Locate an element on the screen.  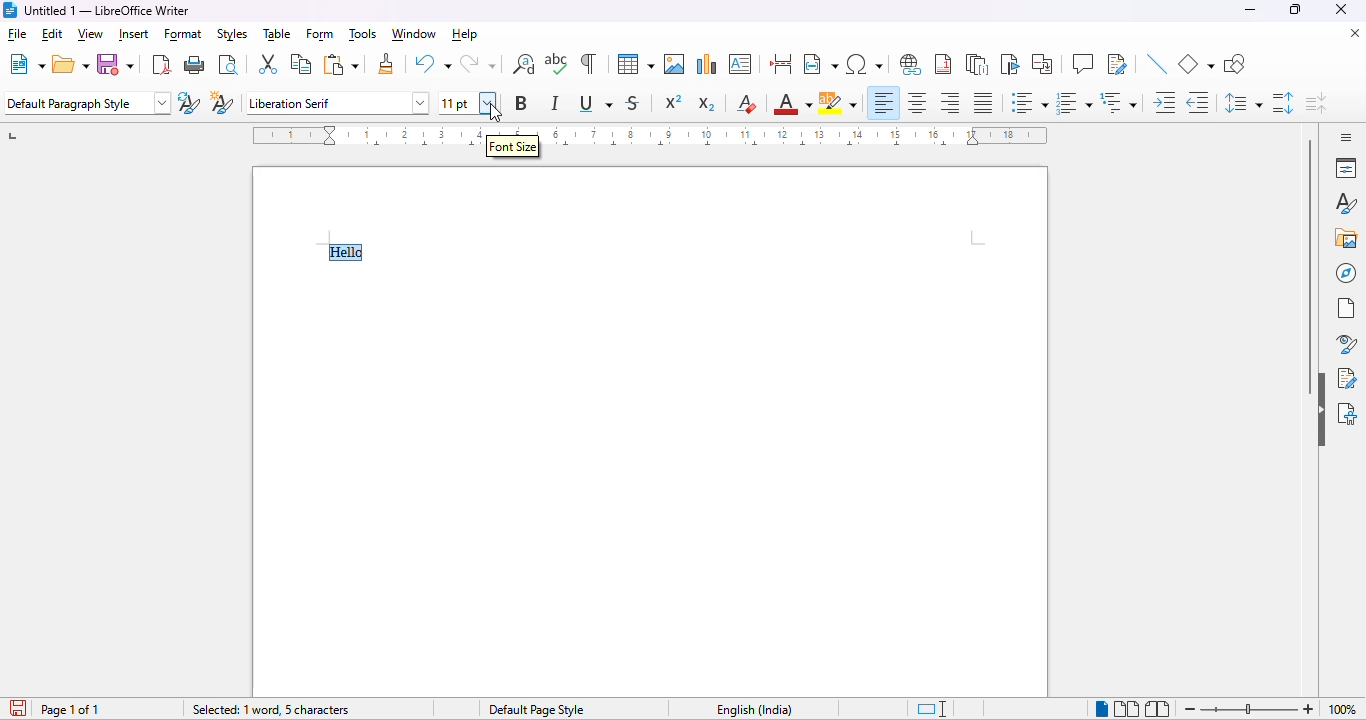
maximize is located at coordinates (1296, 10).